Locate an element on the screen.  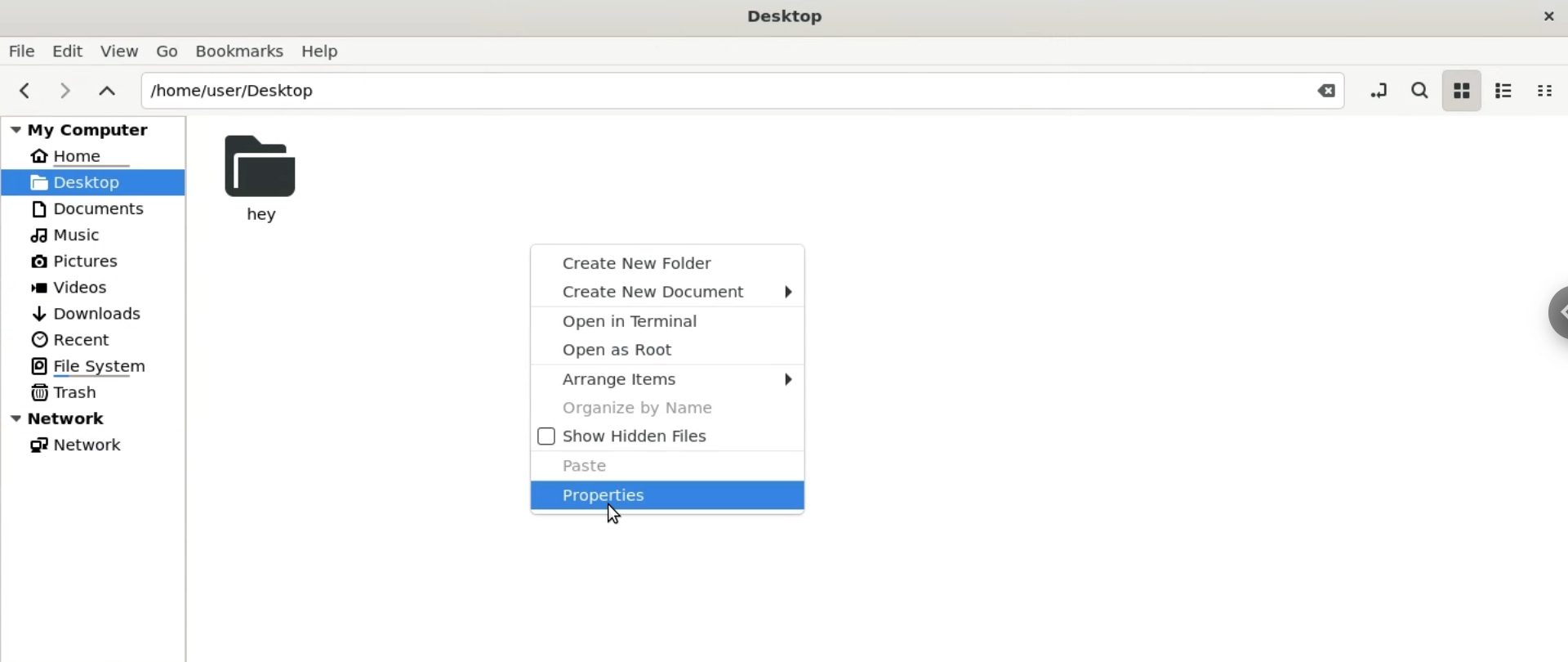
recent is located at coordinates (74, 339).